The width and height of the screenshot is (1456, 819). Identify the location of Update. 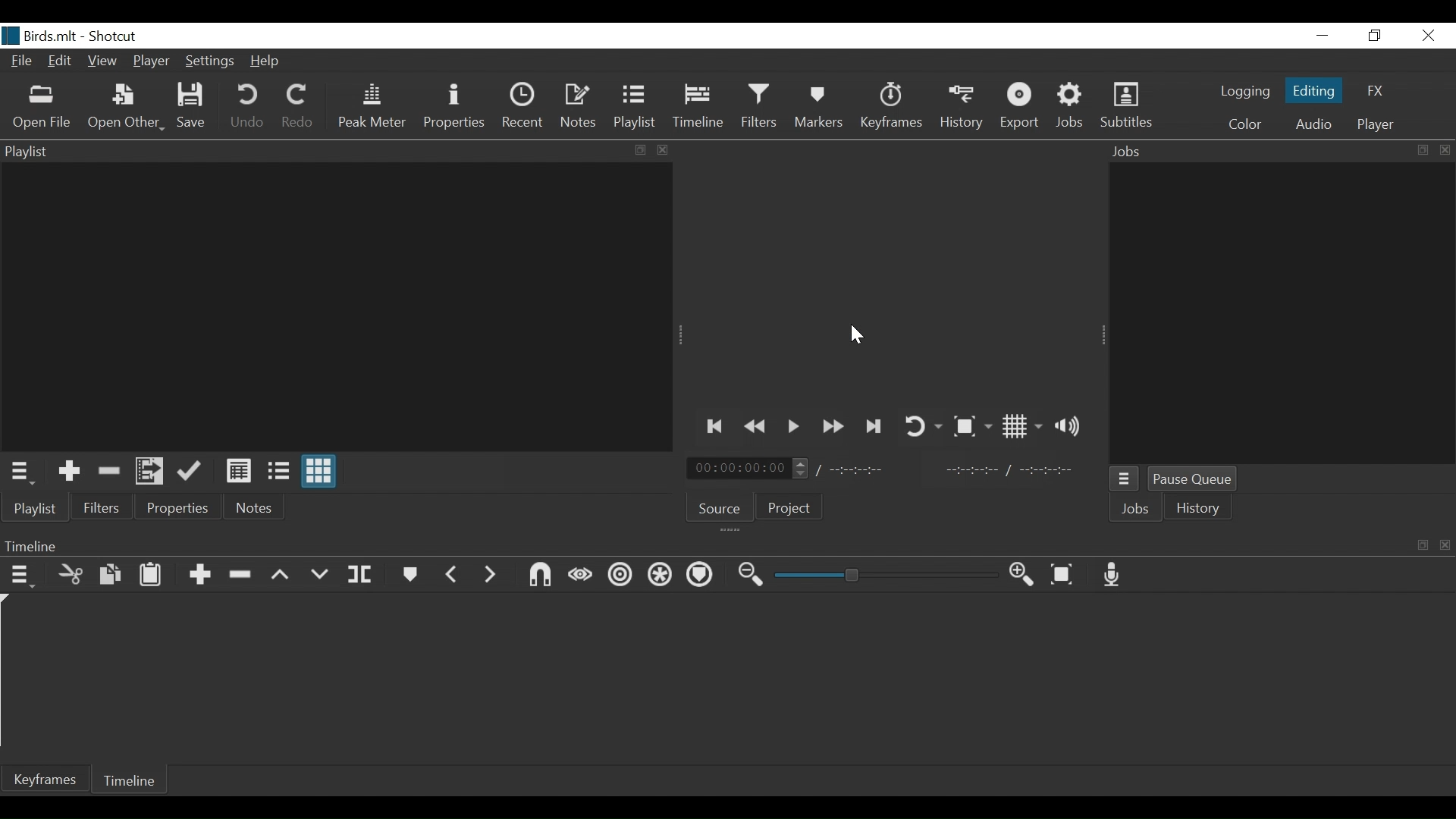
(193, 472).